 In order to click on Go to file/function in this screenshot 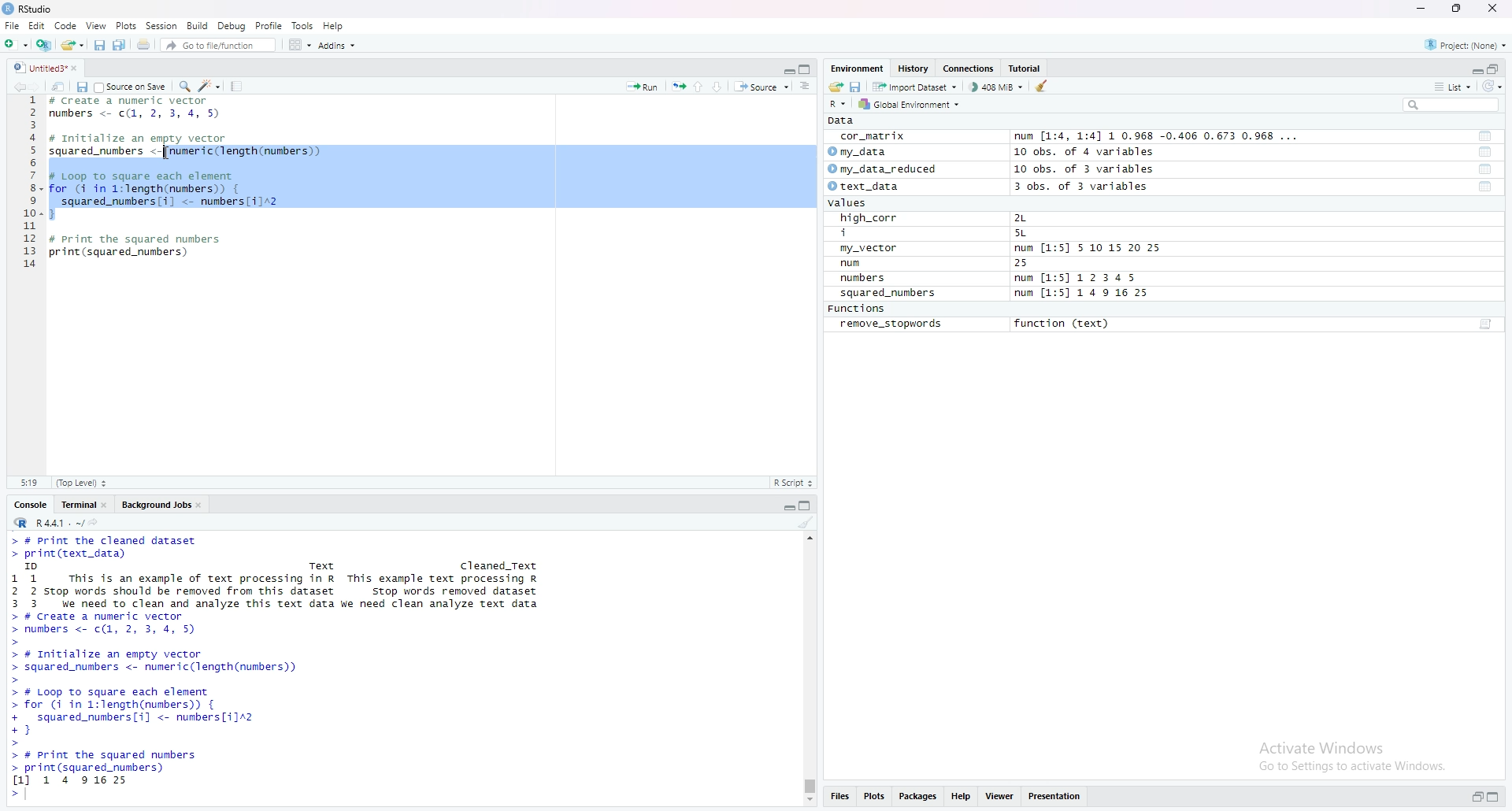, I will do `click(217, 43)`.